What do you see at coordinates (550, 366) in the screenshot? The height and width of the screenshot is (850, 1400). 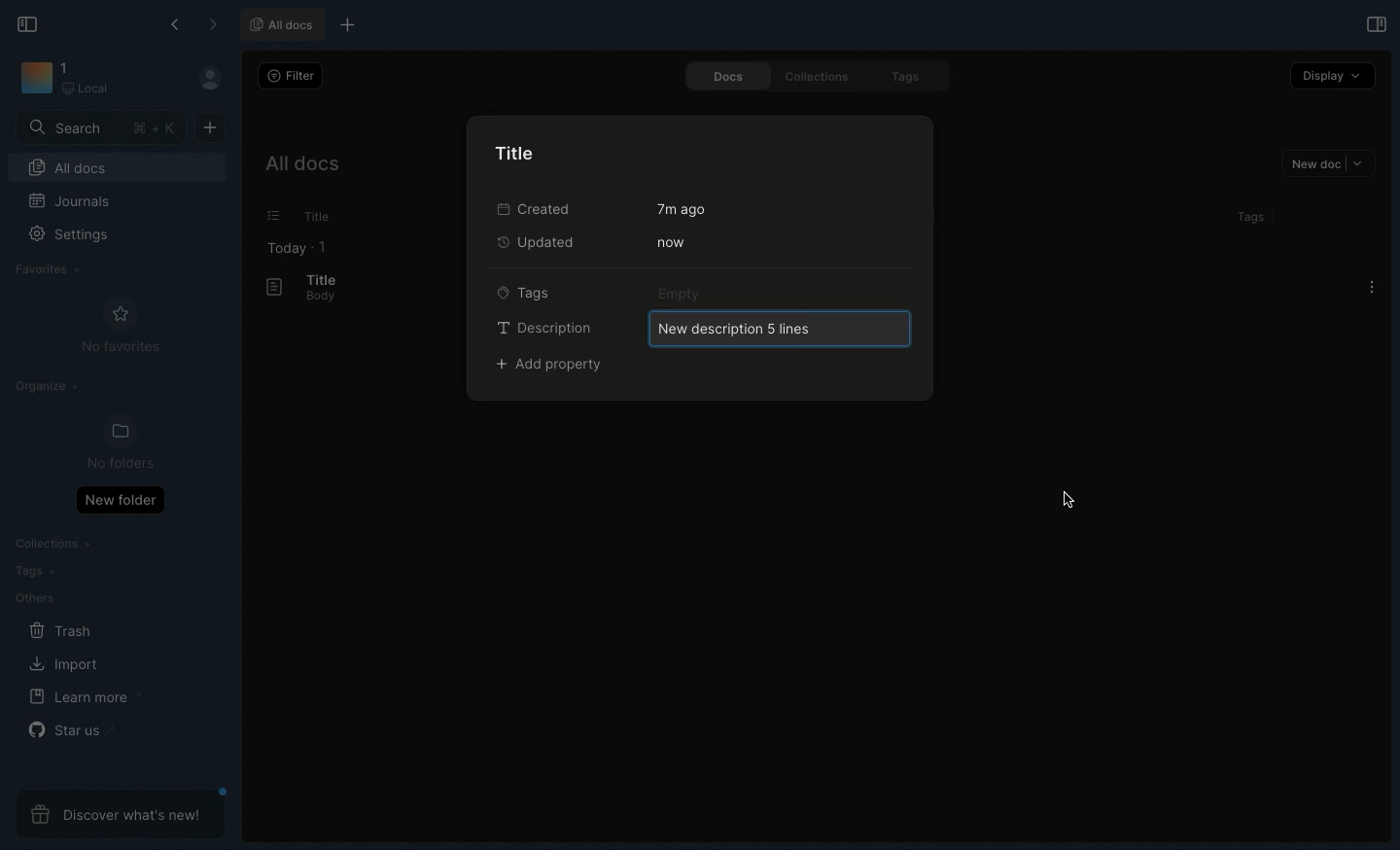 I see `Add property` at bounding box center [550, 366].